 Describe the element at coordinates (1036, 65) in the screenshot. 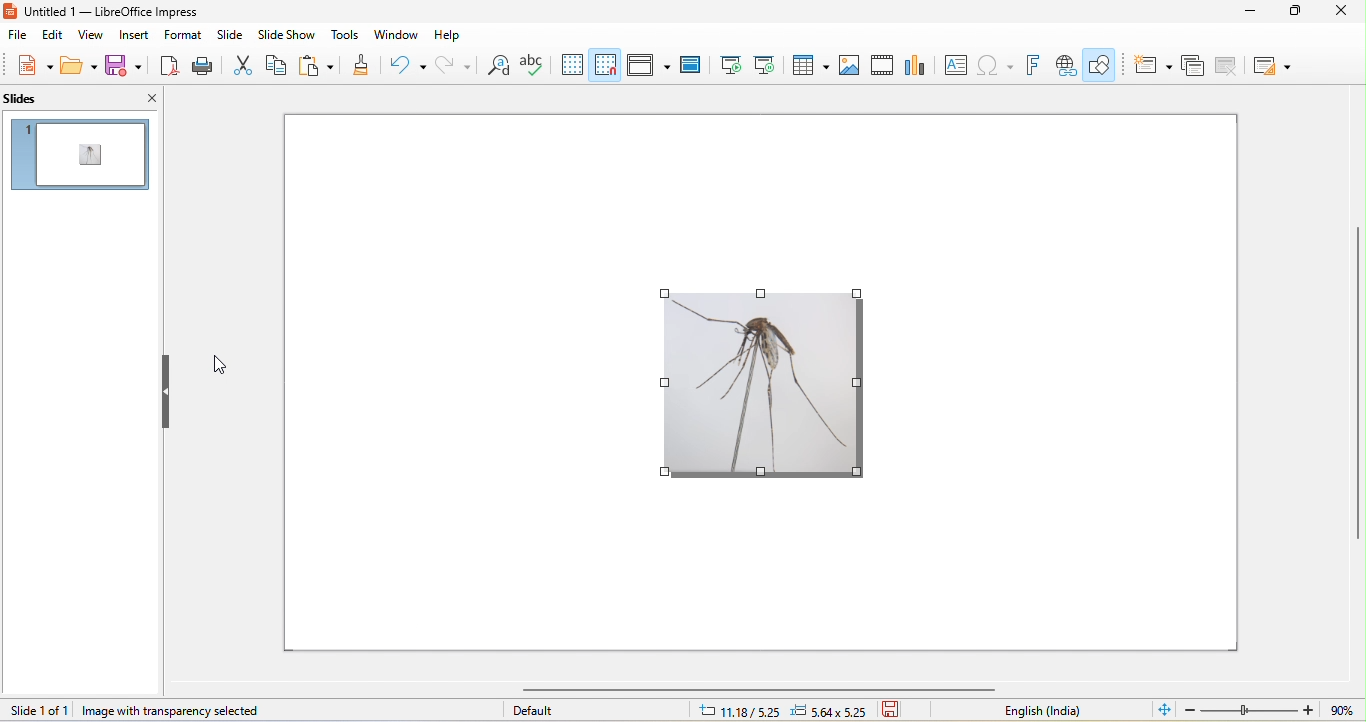

I see `fontwork text` at that location.